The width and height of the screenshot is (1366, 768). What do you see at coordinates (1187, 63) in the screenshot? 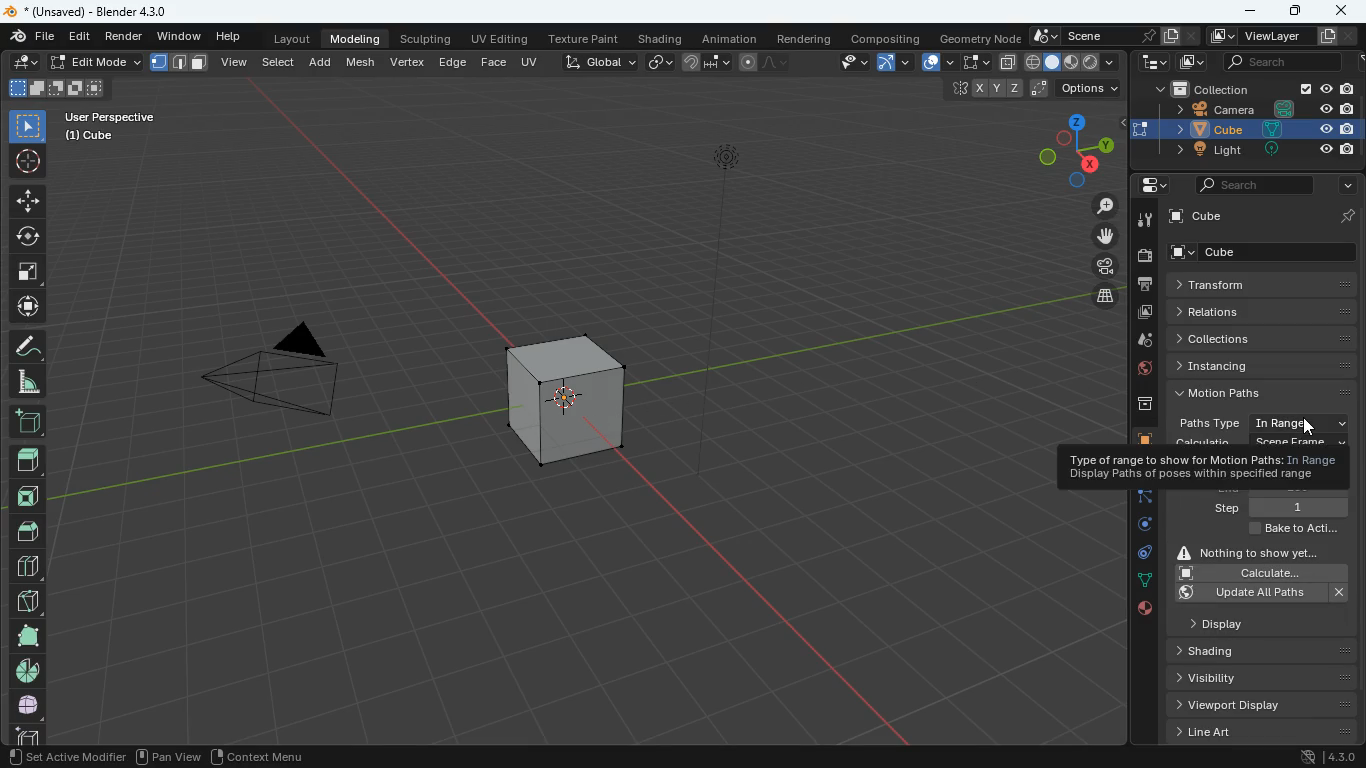
I see `image` at bounding box center [1187, 63].